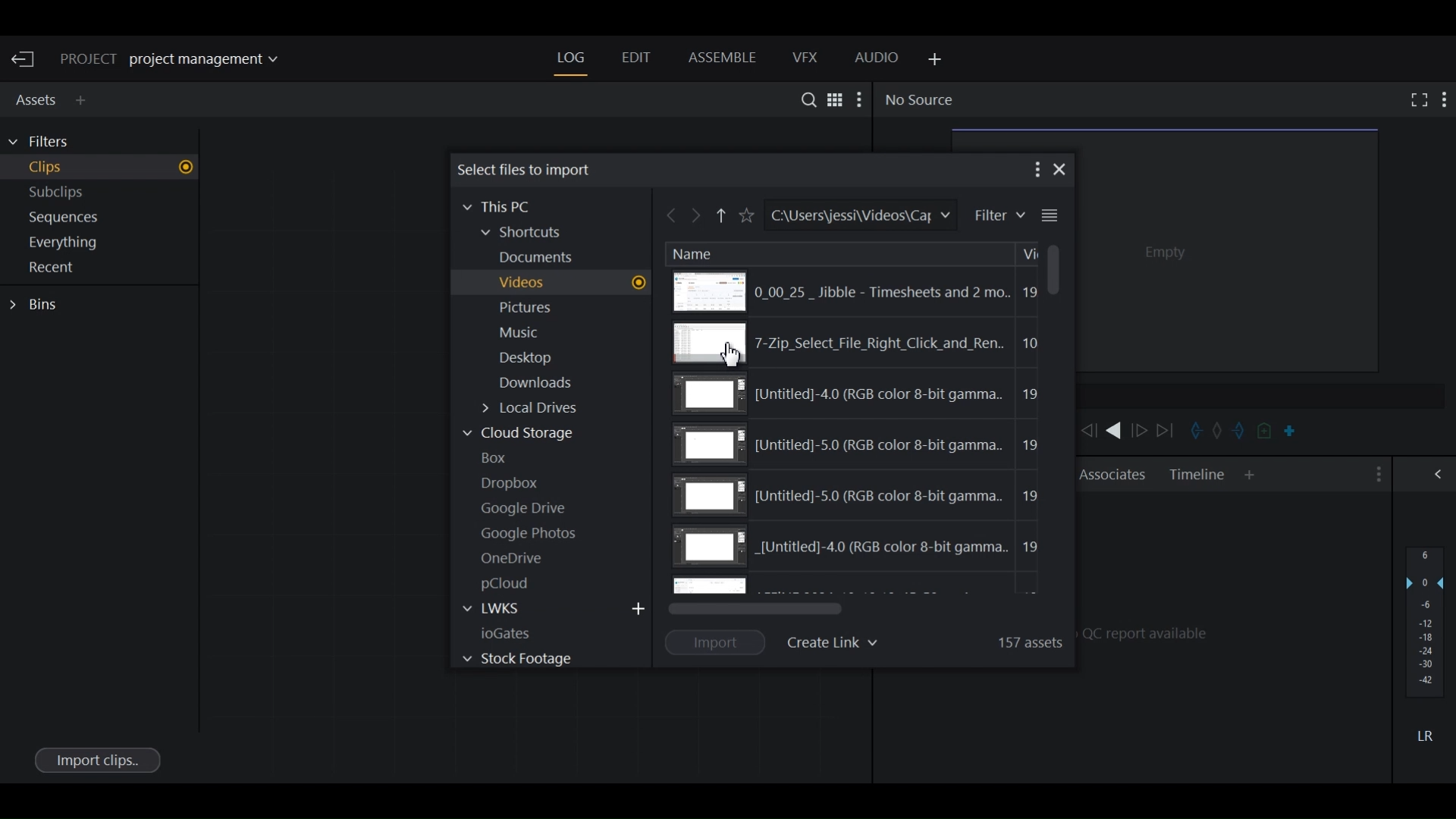  I want to click on Documents, so click(545, 258).